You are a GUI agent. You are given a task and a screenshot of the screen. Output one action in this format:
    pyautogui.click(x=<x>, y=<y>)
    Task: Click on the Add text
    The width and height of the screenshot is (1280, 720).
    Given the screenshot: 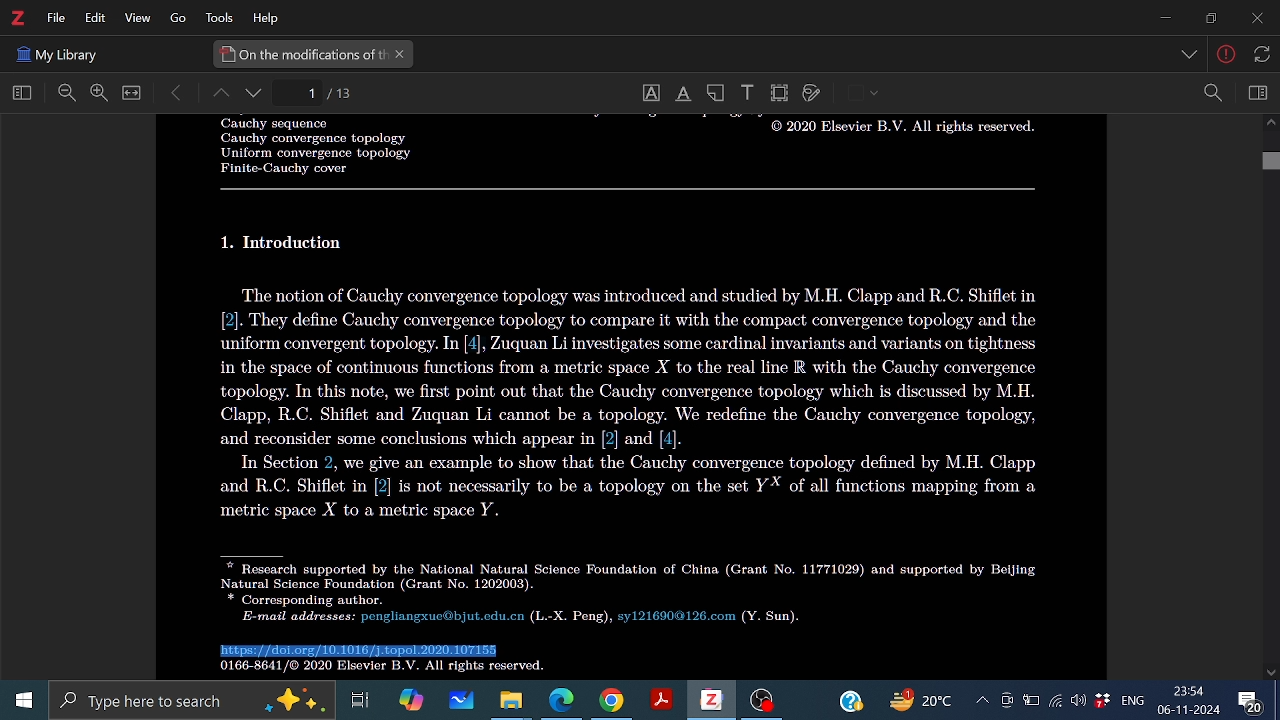 What is the action you would take?
    pyautogui.click(x=746, y=91)
    